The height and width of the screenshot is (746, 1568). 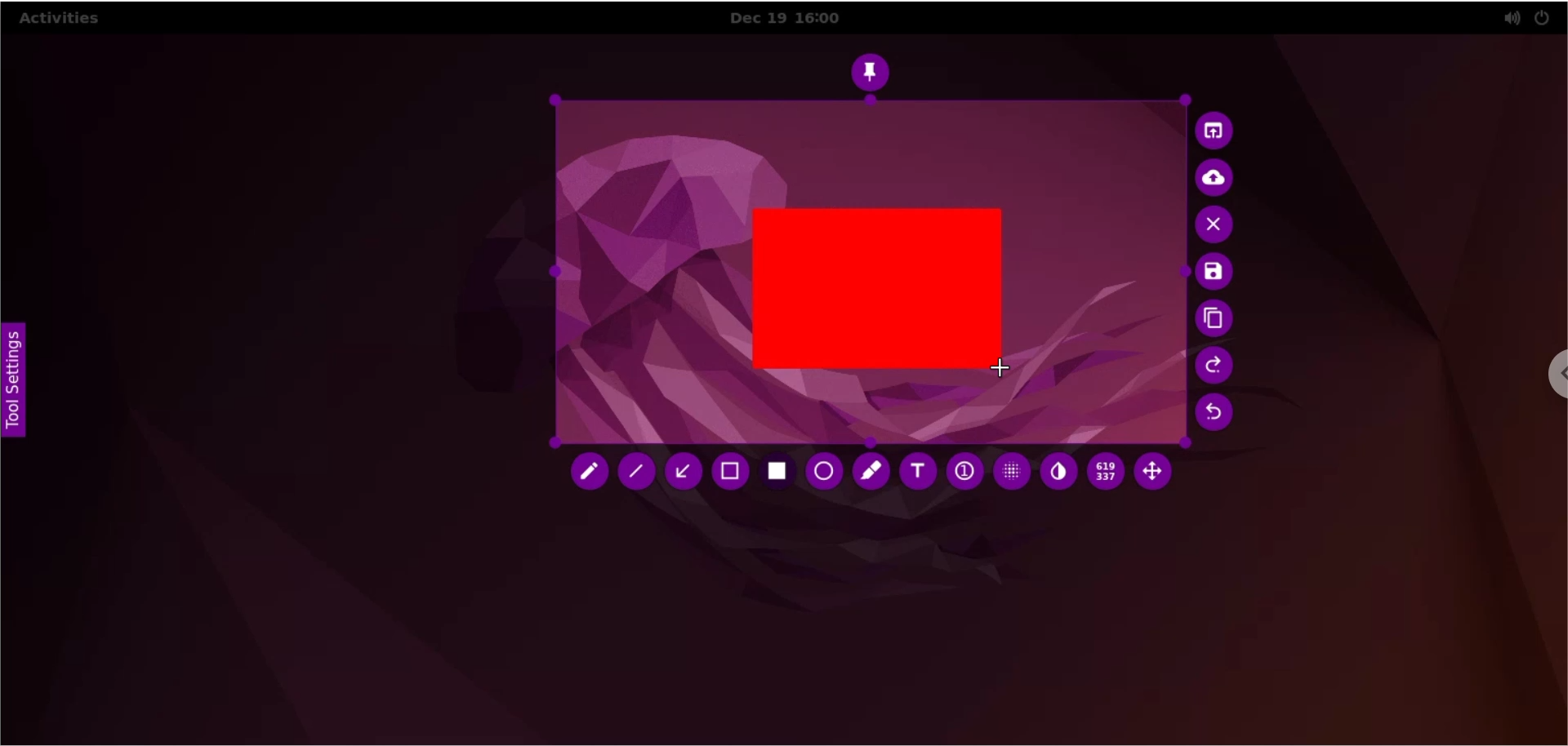 What do you see at coordinates (1213, 320) in the screenshot?
I see `copy to clipboards` at bounding box center [1213, 320].